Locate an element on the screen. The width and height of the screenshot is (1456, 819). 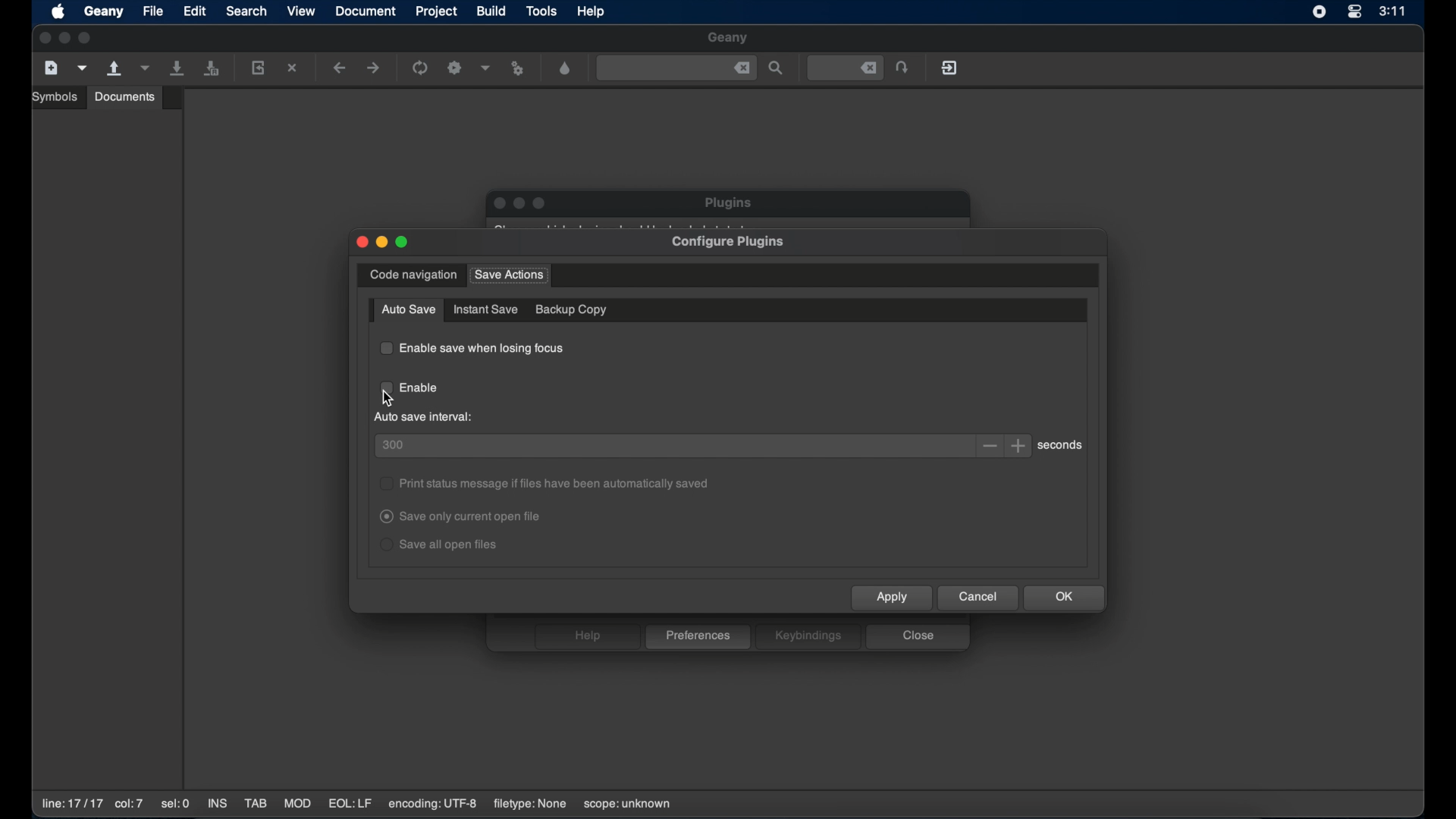
search is located at coordinates (246, 11).